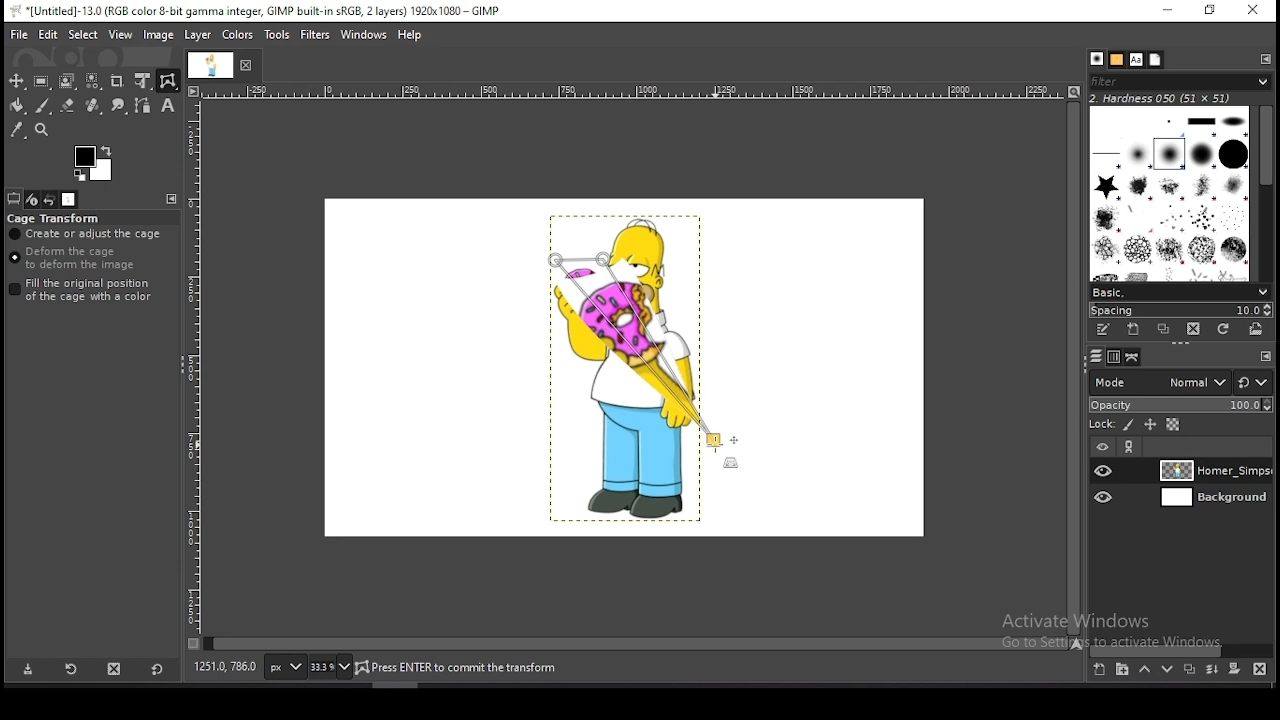 This screenshot has height=720, width=1280. Describe the element at coordinates (55, 218) in the screenshot. I see `cage transform` at that location.